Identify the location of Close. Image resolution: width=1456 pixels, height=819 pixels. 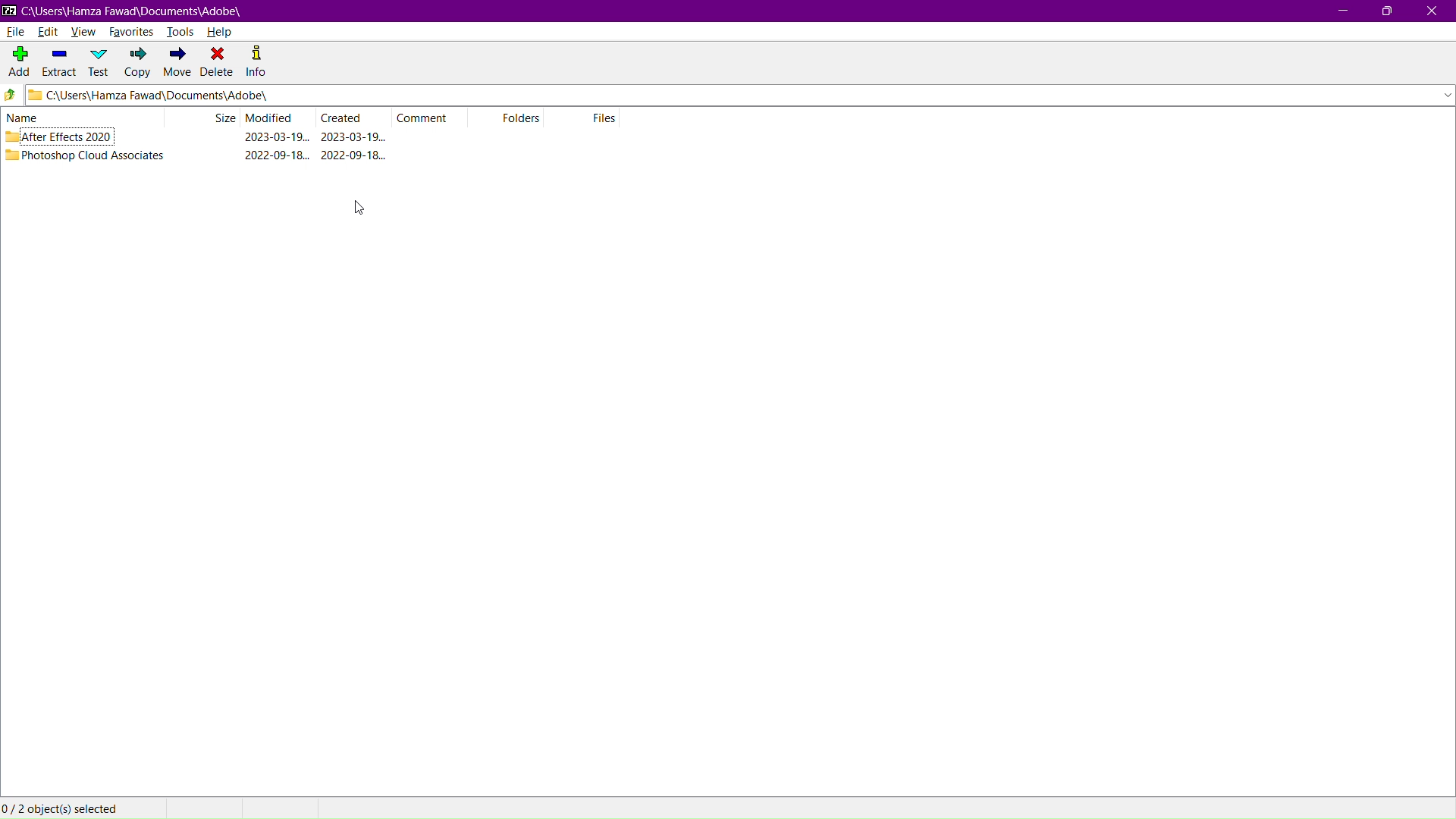
(1435, 11).